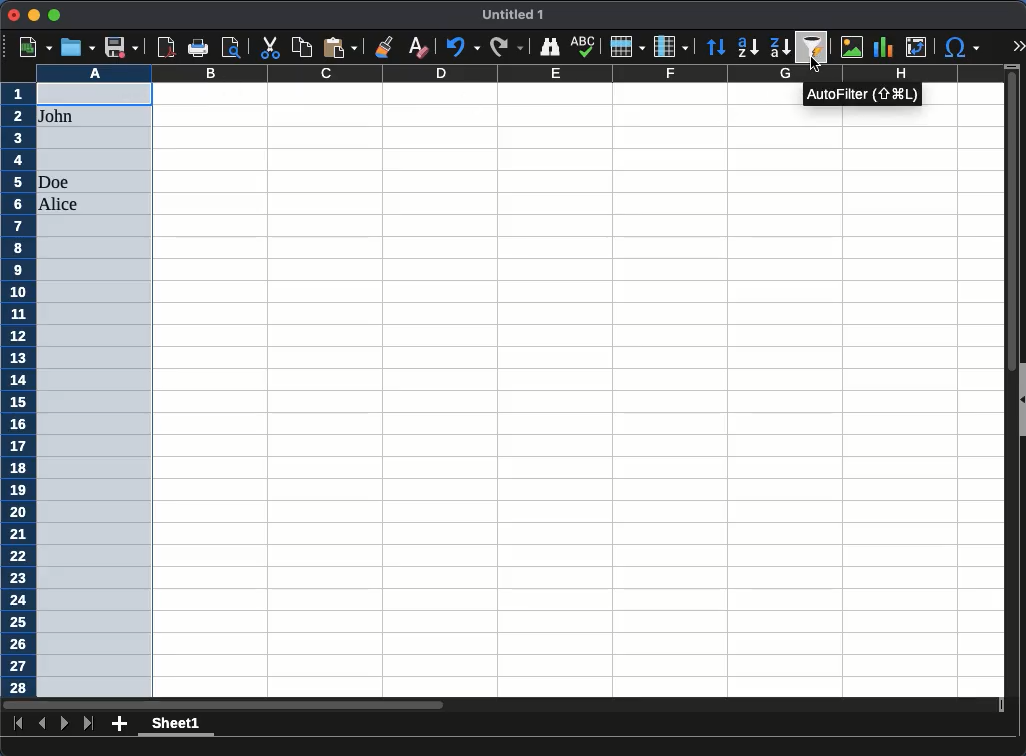  Describe the element at coordinates (748, 48) in the screenshot. I see `ascending` at that location.